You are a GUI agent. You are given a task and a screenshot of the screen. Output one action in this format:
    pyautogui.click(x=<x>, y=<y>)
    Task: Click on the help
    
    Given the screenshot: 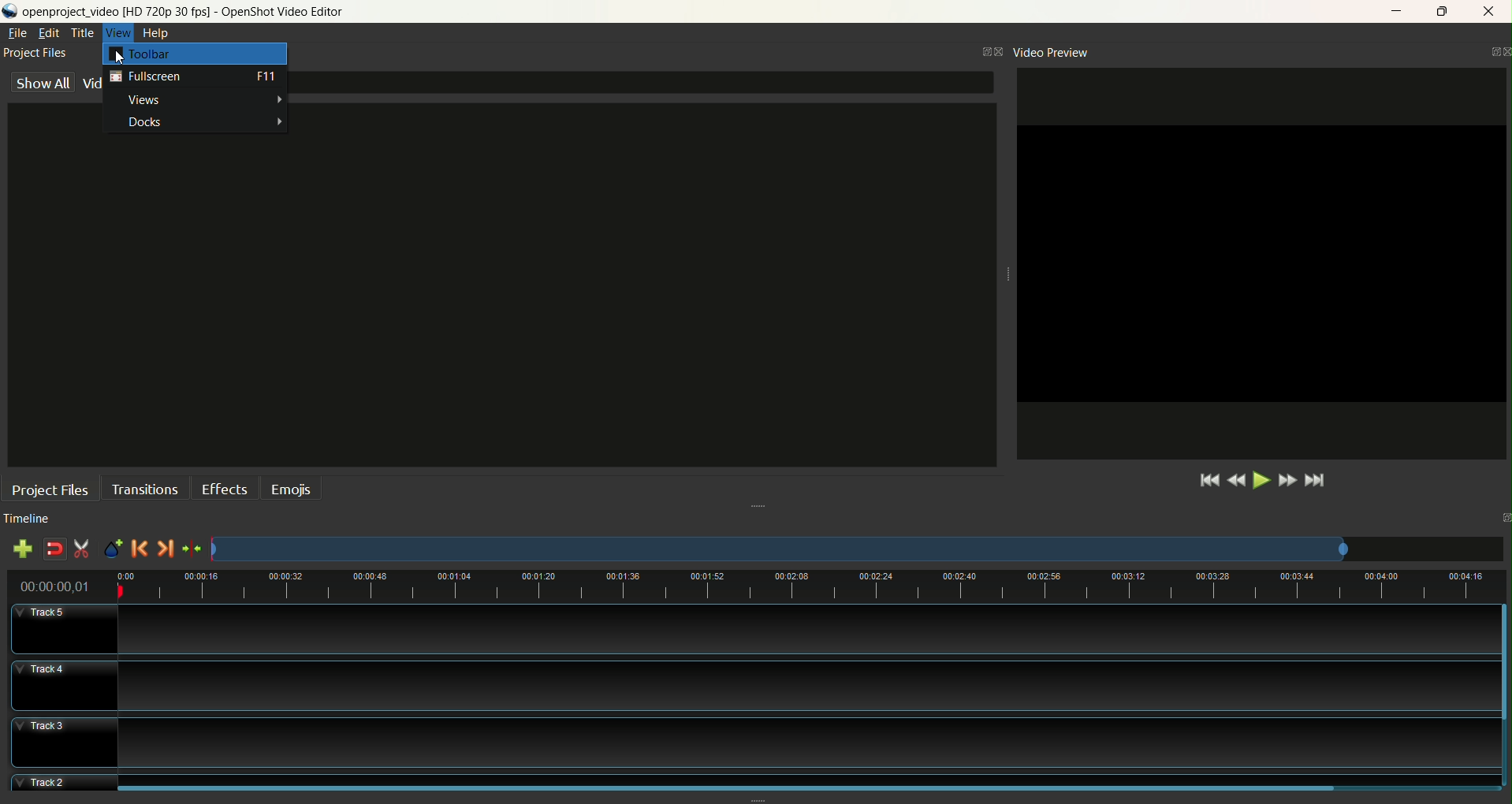 What is the action you would take?
    pyautogui.click(x=158, y=34)
    